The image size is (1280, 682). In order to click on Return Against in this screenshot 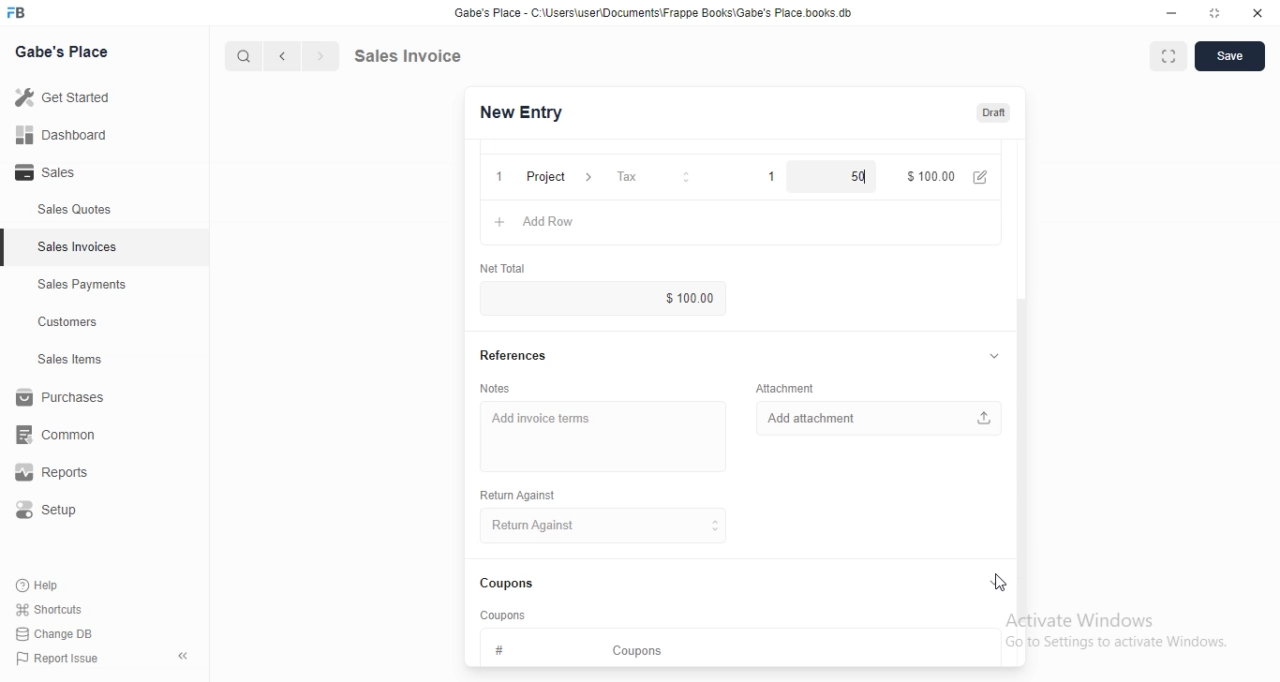, I will do `click(606, 526)`.